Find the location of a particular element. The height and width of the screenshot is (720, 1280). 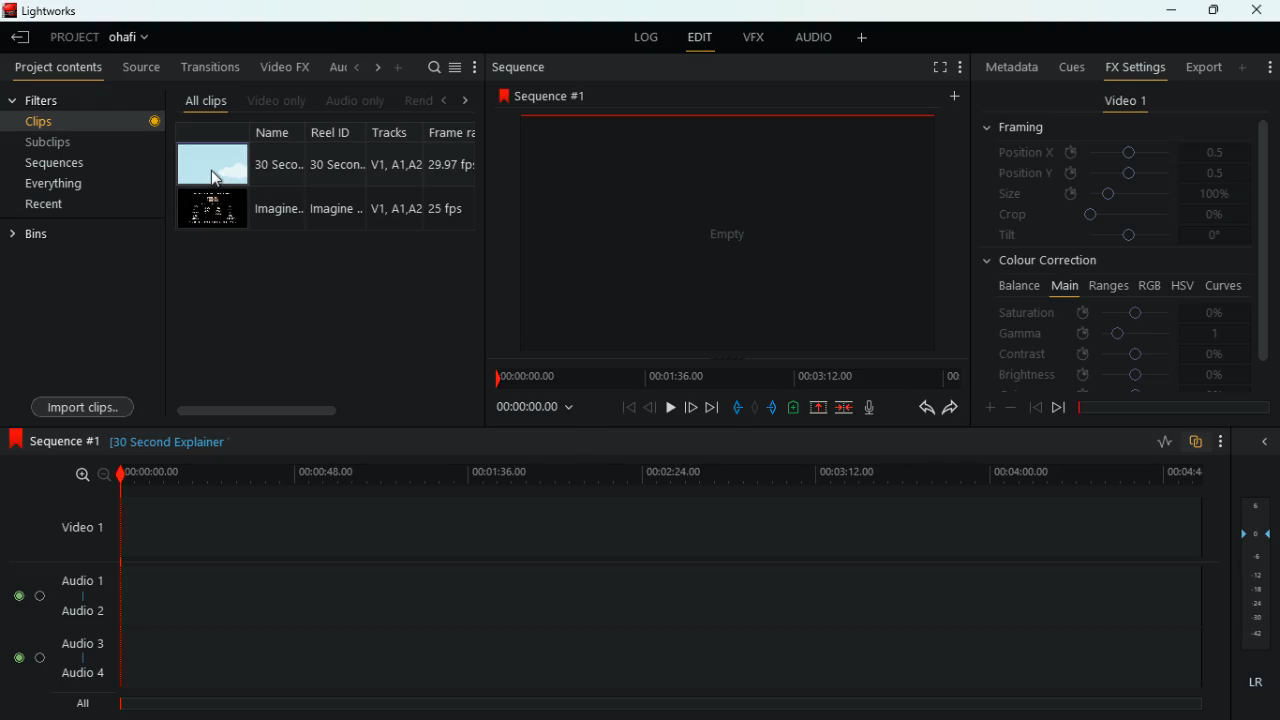

saturation is located at coordinates (1116, 311).